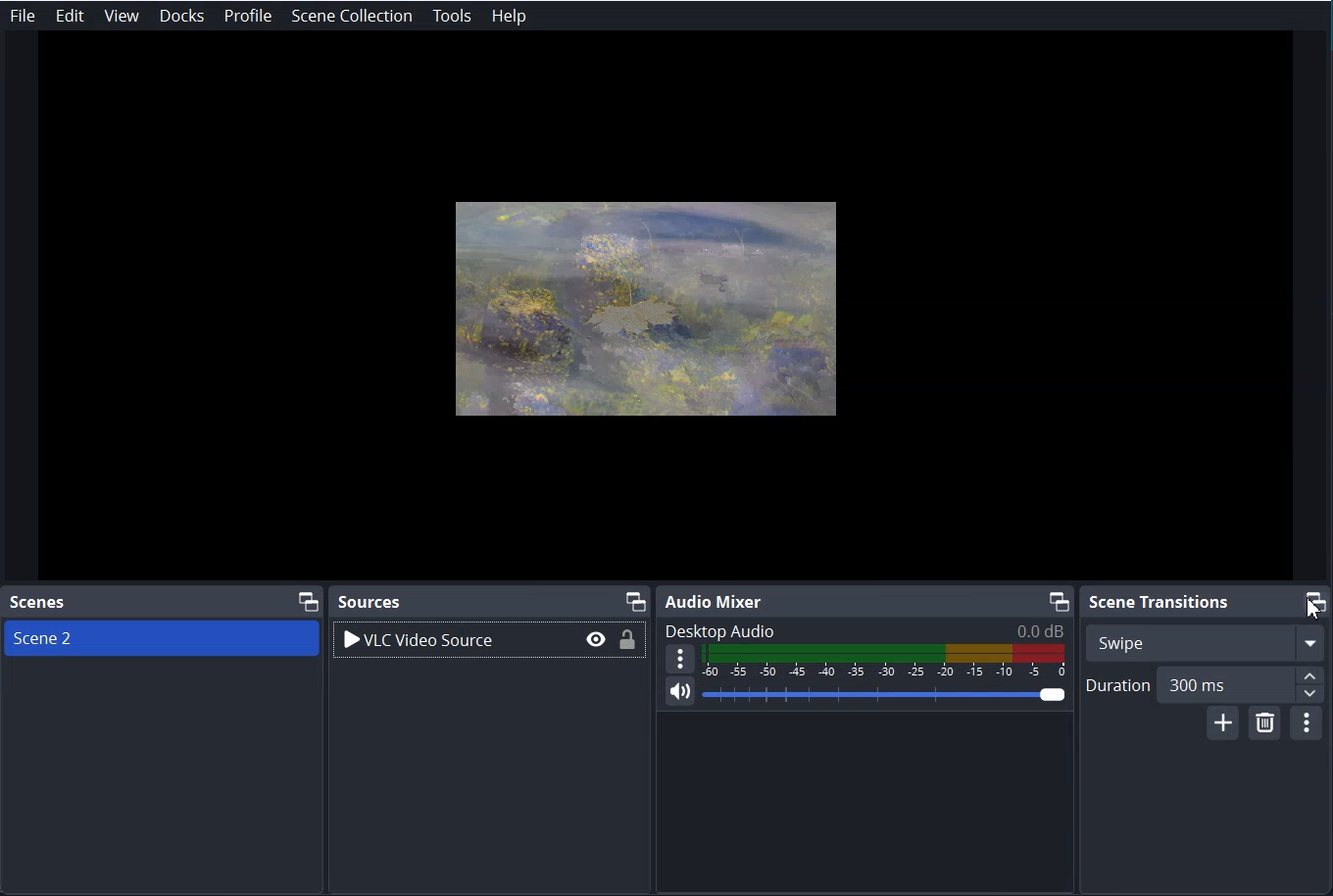 The image size is (1333, 896). I want to click on Tools, so click(452, 17).